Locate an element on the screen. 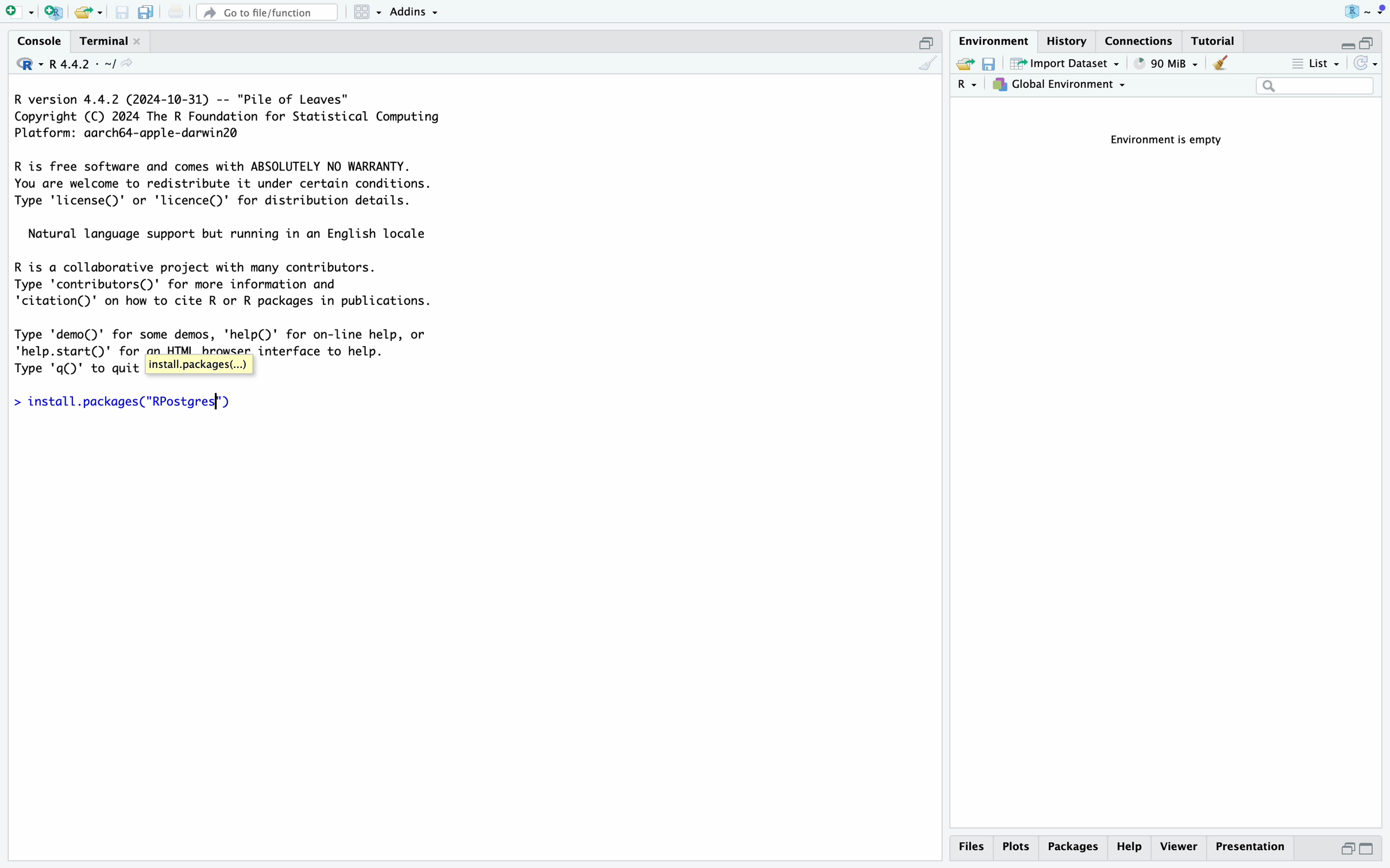 The image size is (1390, 868). clear objects from the workspace is located at coordinates (1226, 64).